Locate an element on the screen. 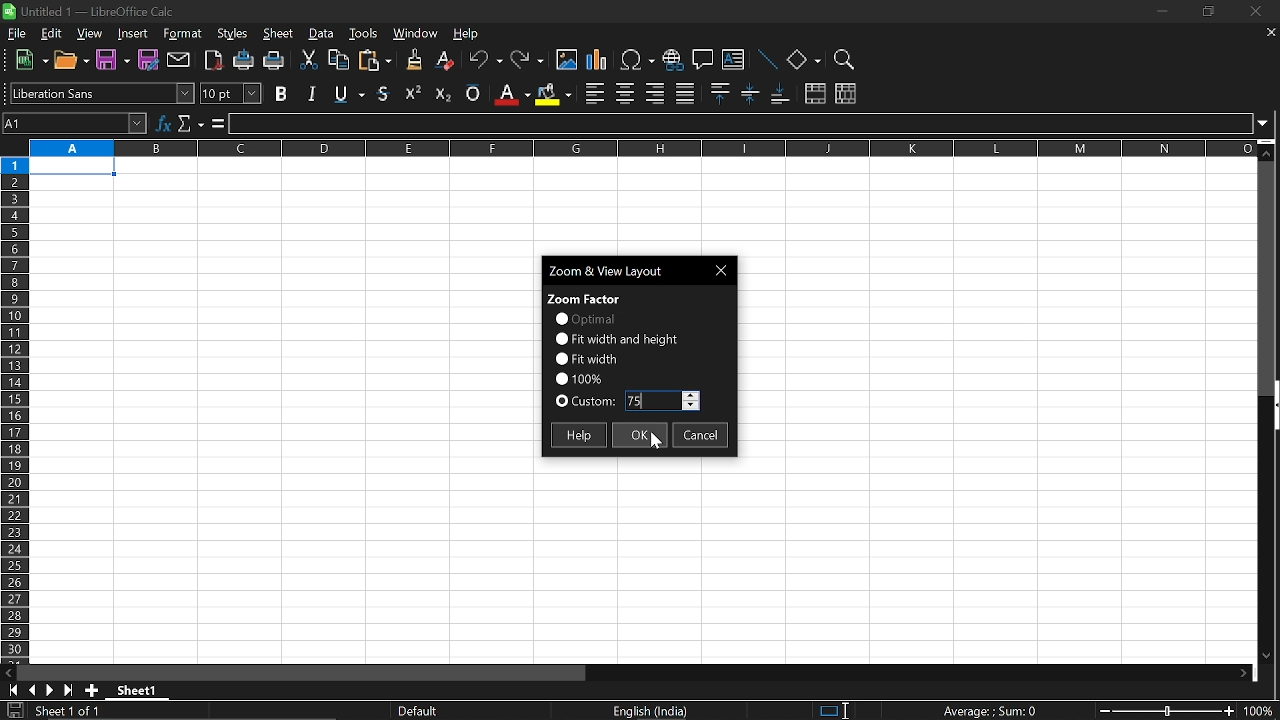 This screenshot has width=1280, height=720. italic is located at coordinates (312, 93).